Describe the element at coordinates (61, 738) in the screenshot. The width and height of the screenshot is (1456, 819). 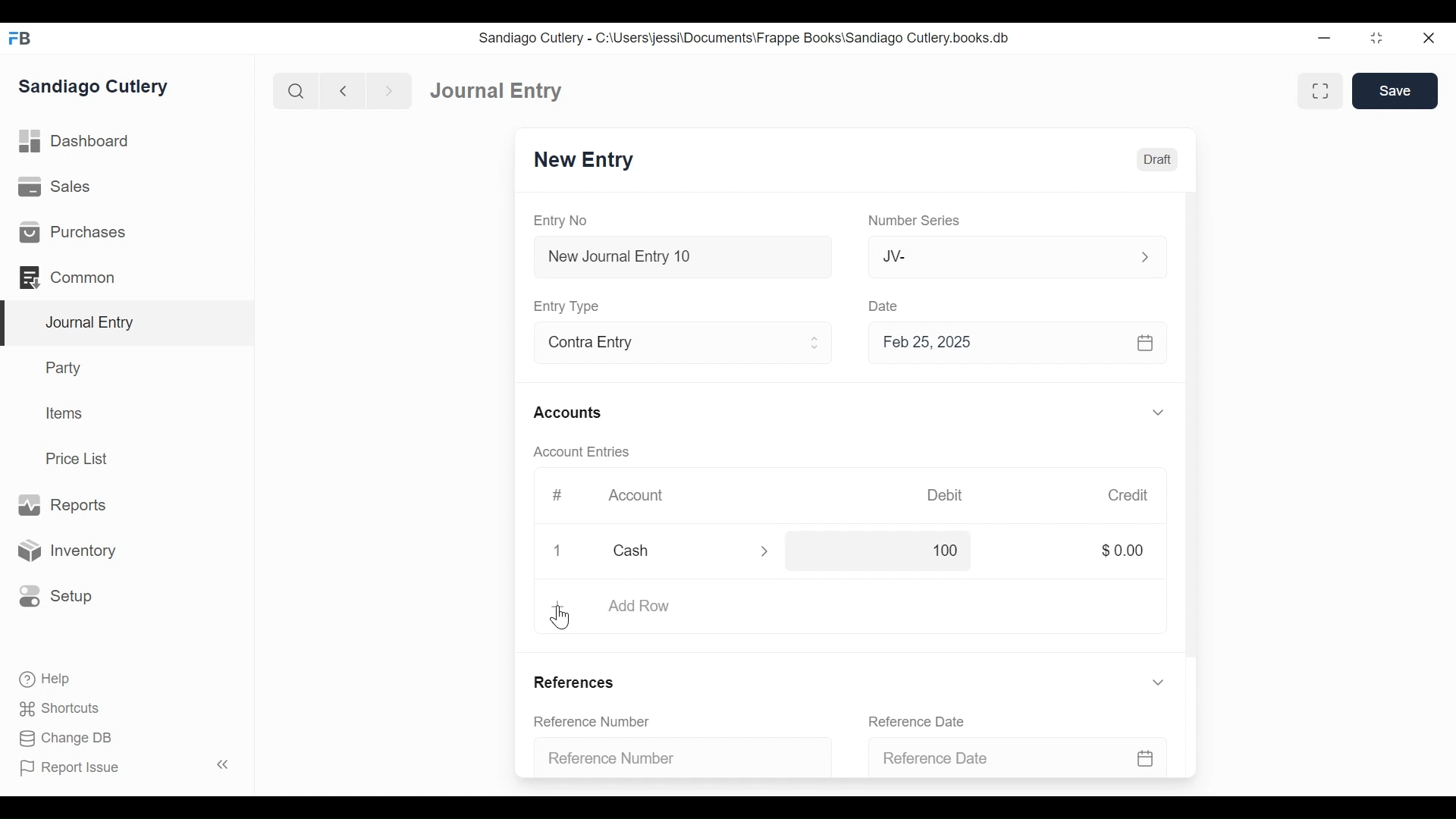
I see `Change DB` at that location.